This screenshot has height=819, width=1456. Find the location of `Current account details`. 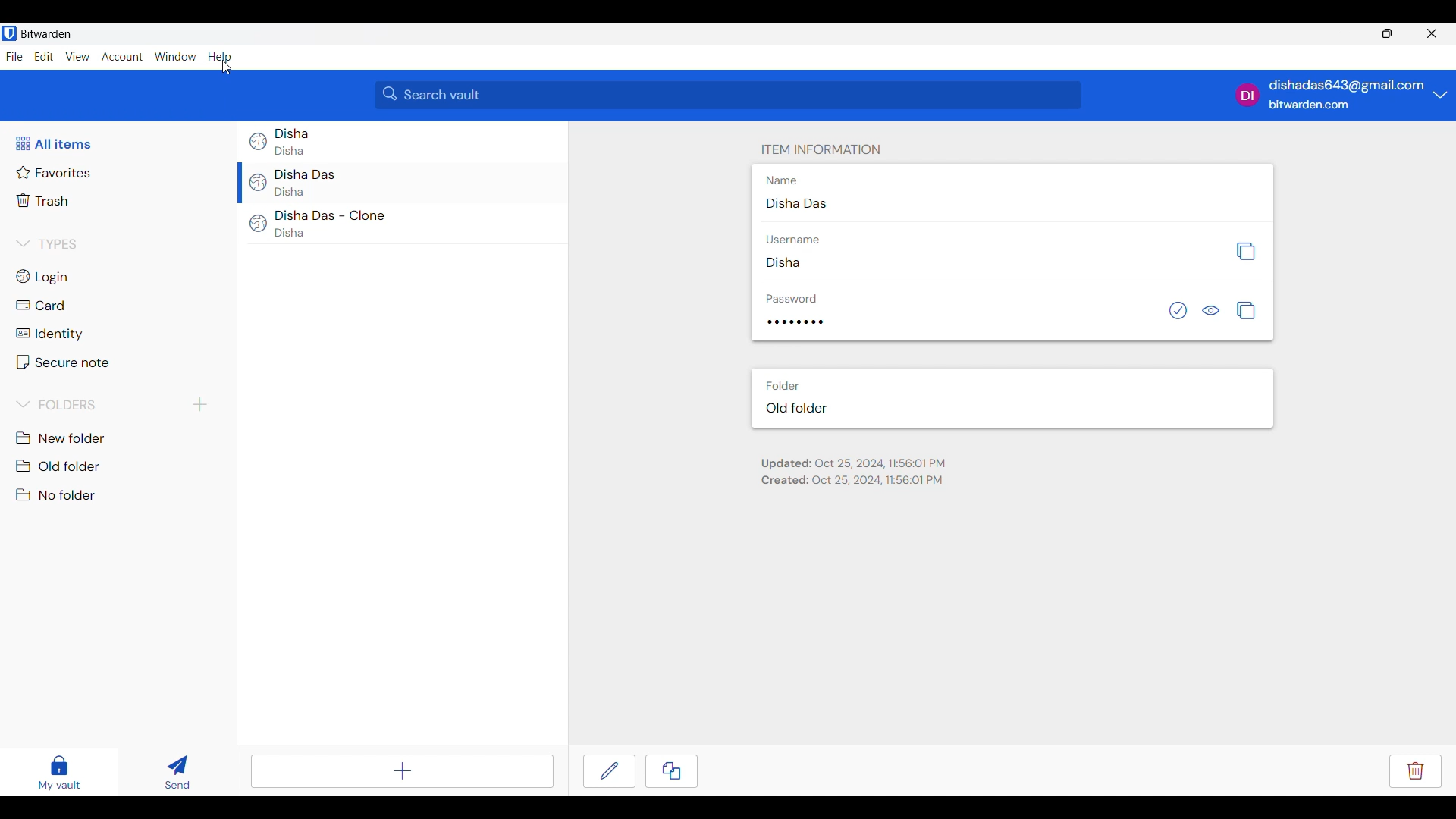

Current account details is located at coordinates (1441, 94).